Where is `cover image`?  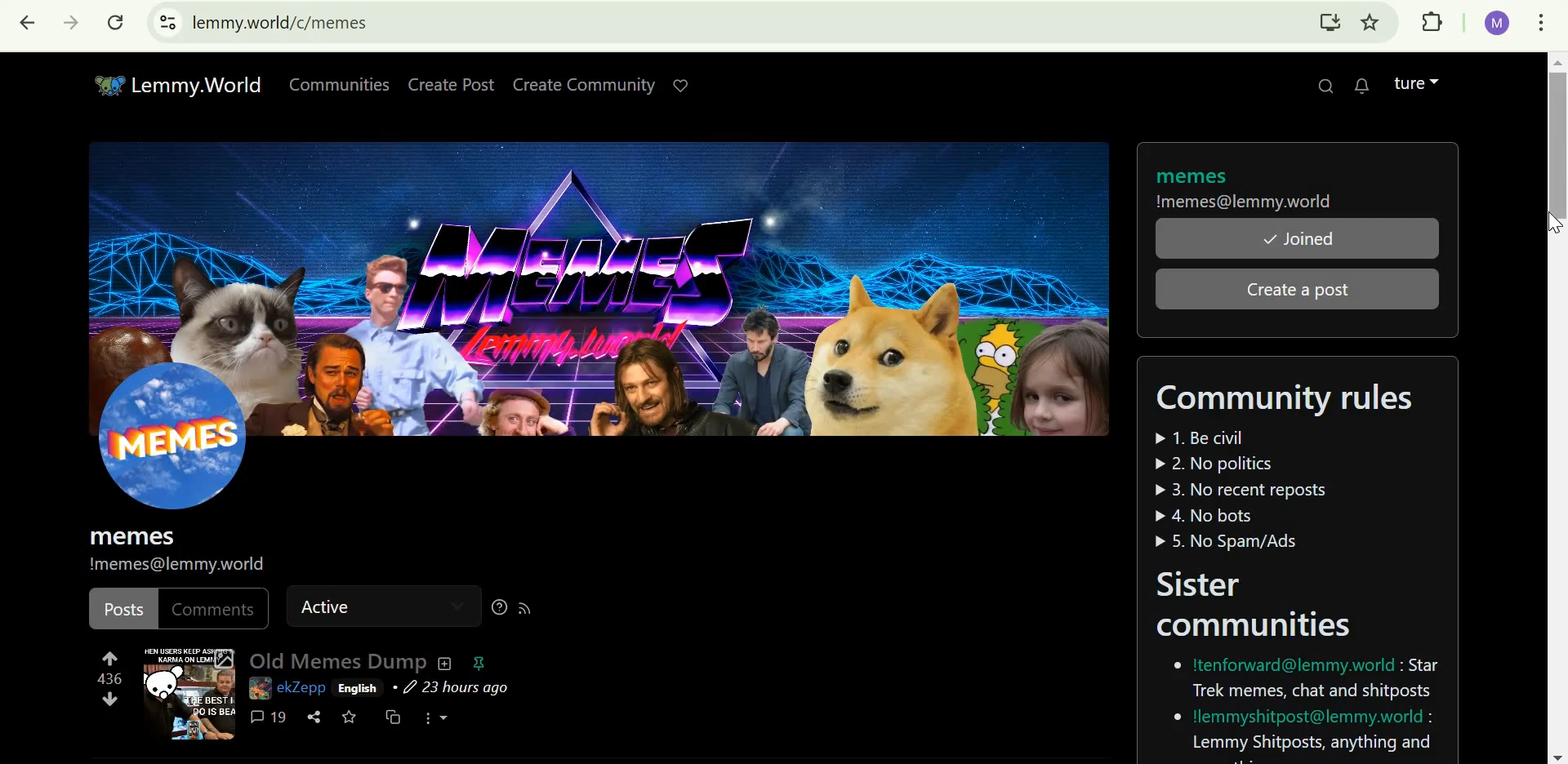 cover image is located at coordinates (604, 288).